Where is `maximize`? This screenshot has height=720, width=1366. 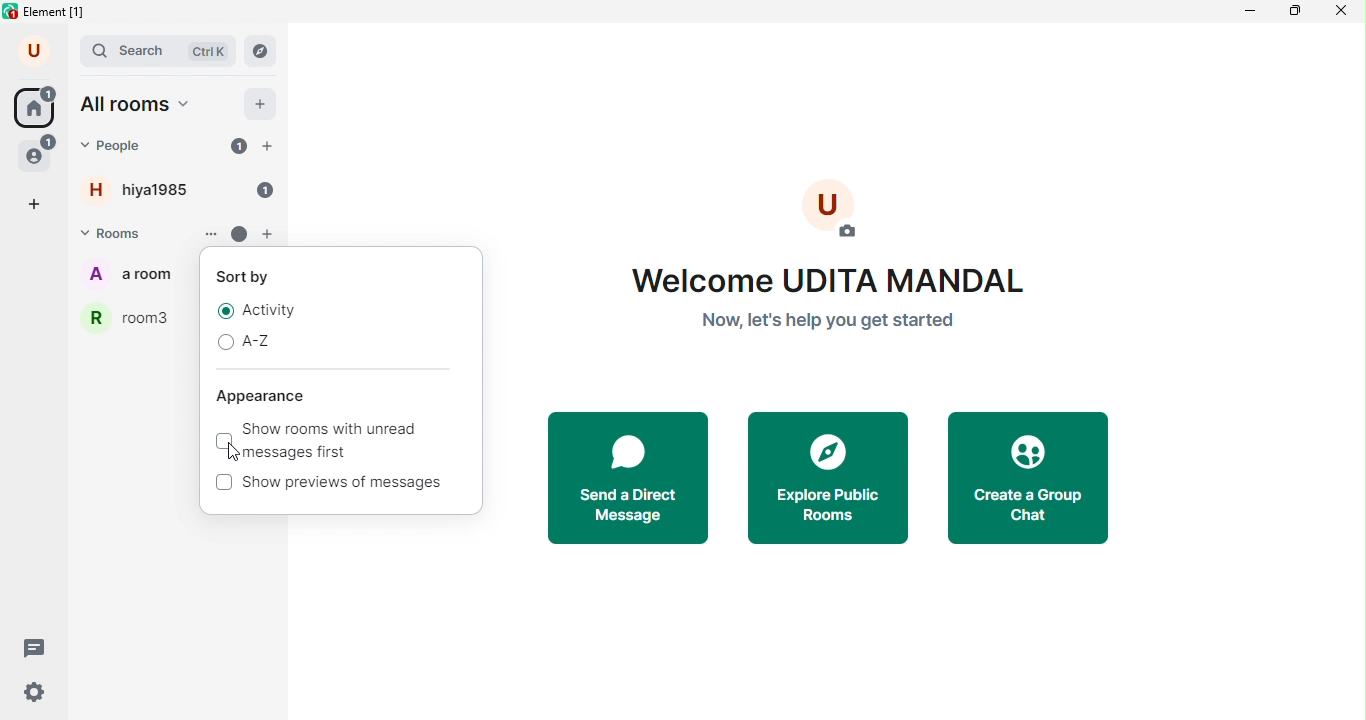 maximize is located at coordinates (1296, 14).